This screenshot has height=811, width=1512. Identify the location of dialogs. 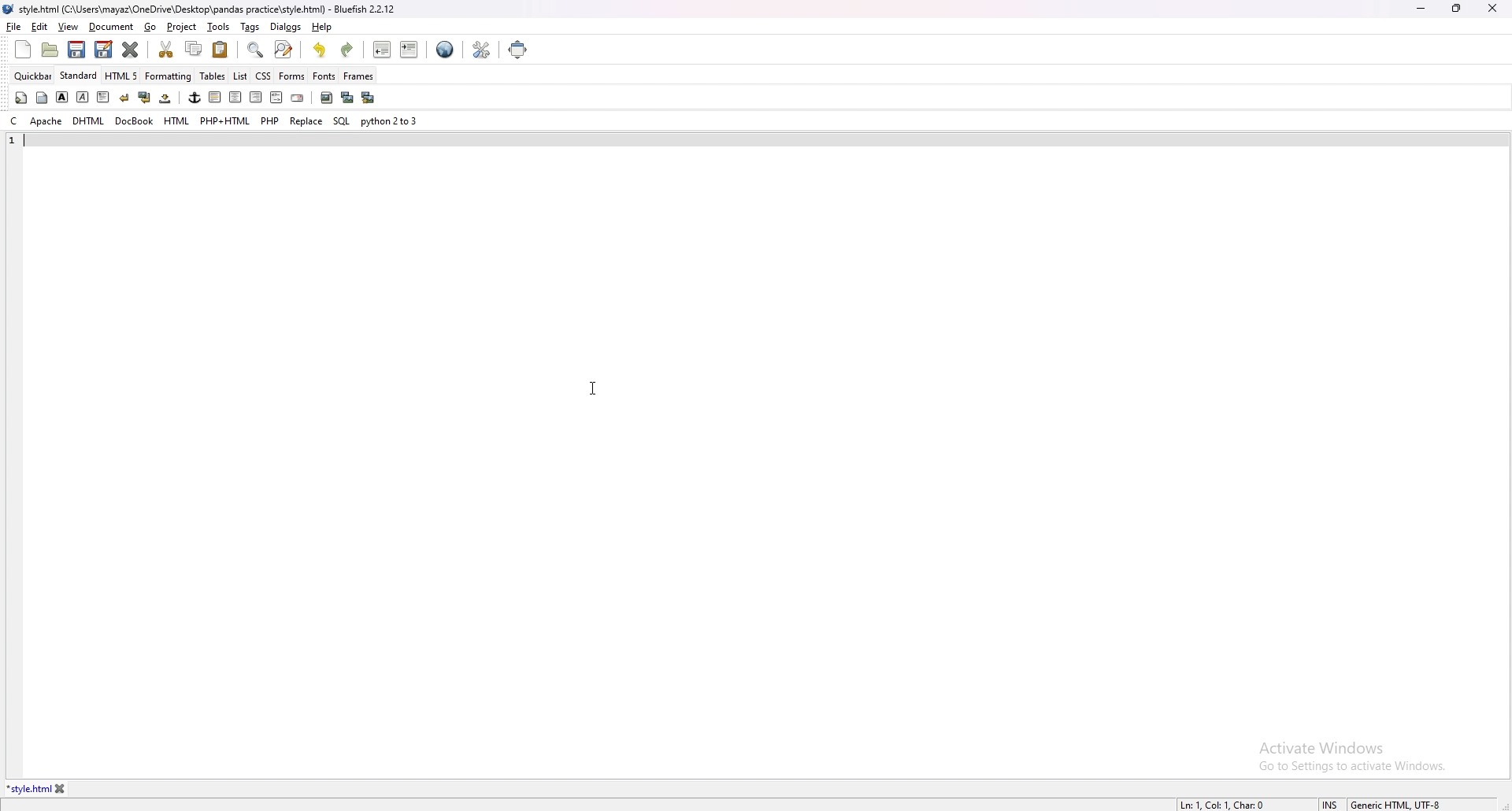
(286, 27).